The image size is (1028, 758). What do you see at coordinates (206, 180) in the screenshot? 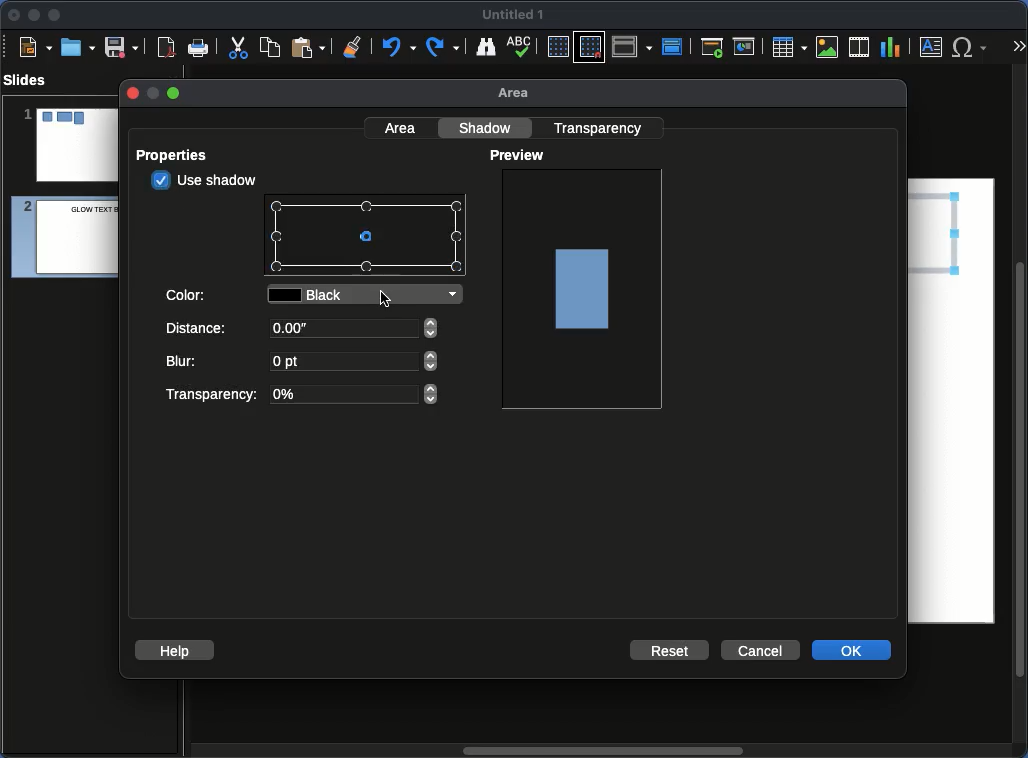
I see `checked Use shadow` at bounding box center [206, 180].